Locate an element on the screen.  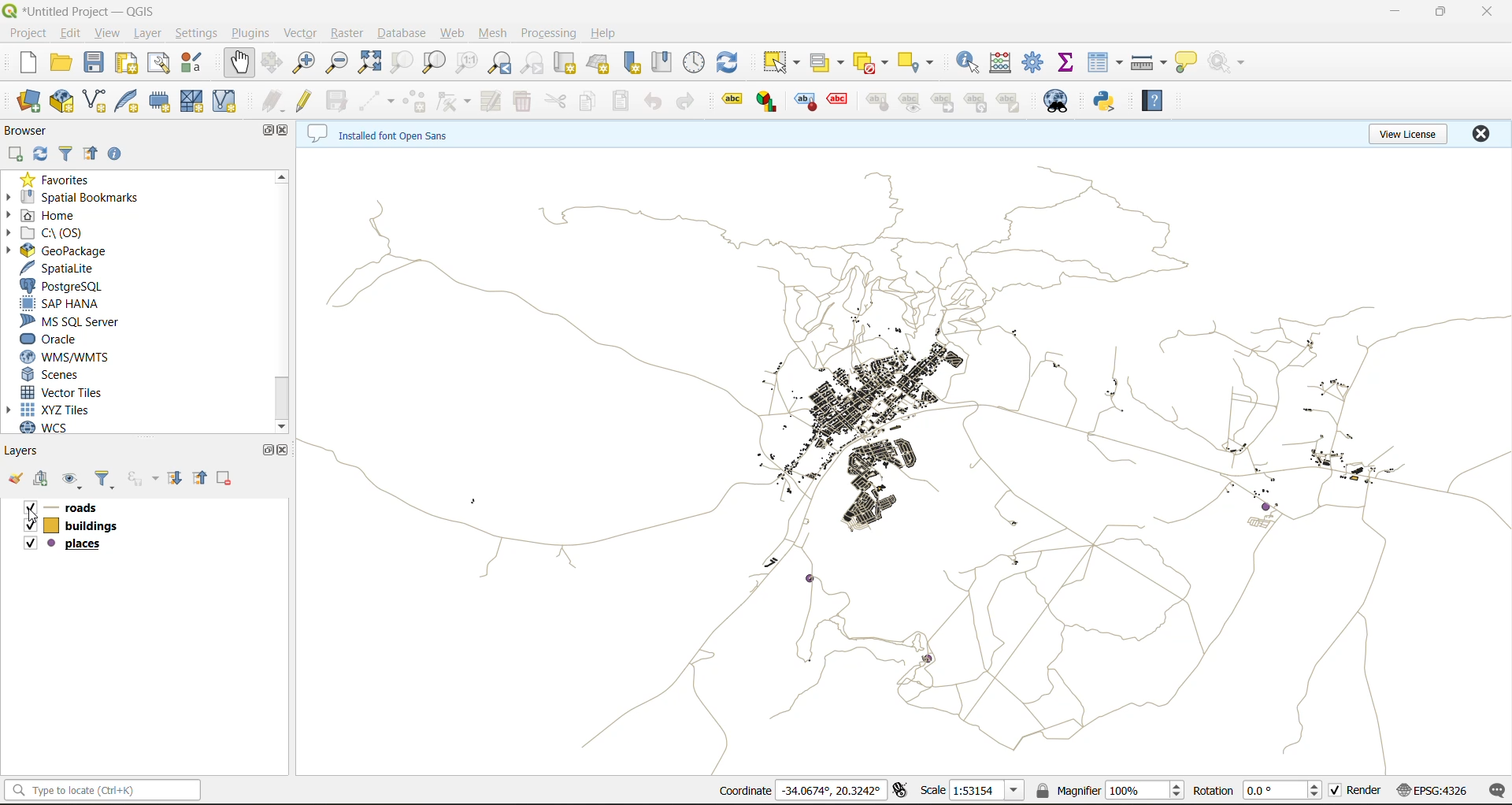
close is located at coordinates (286, 451).